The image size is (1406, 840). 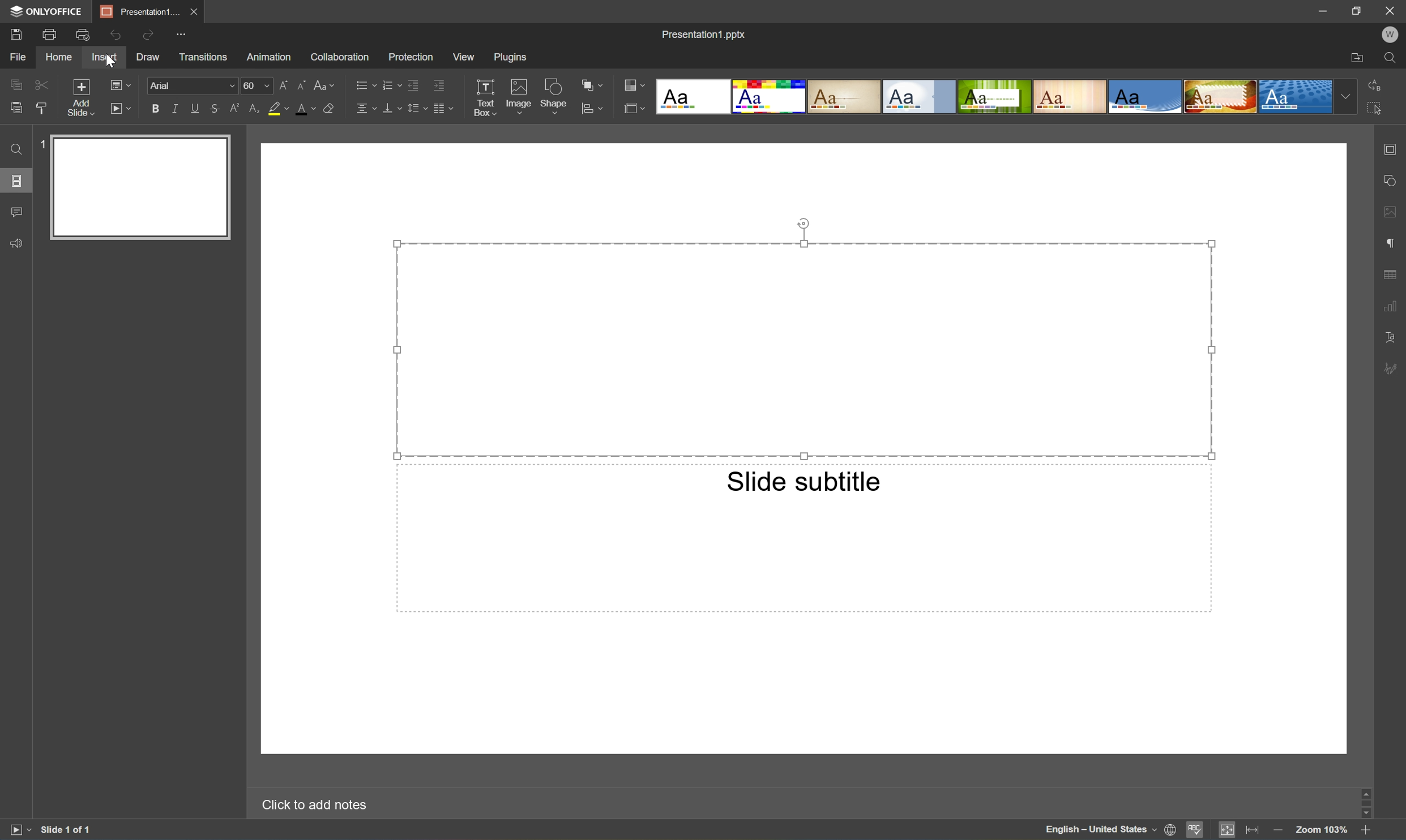 I want to click on Select slide size, so click(x=635, y=108).